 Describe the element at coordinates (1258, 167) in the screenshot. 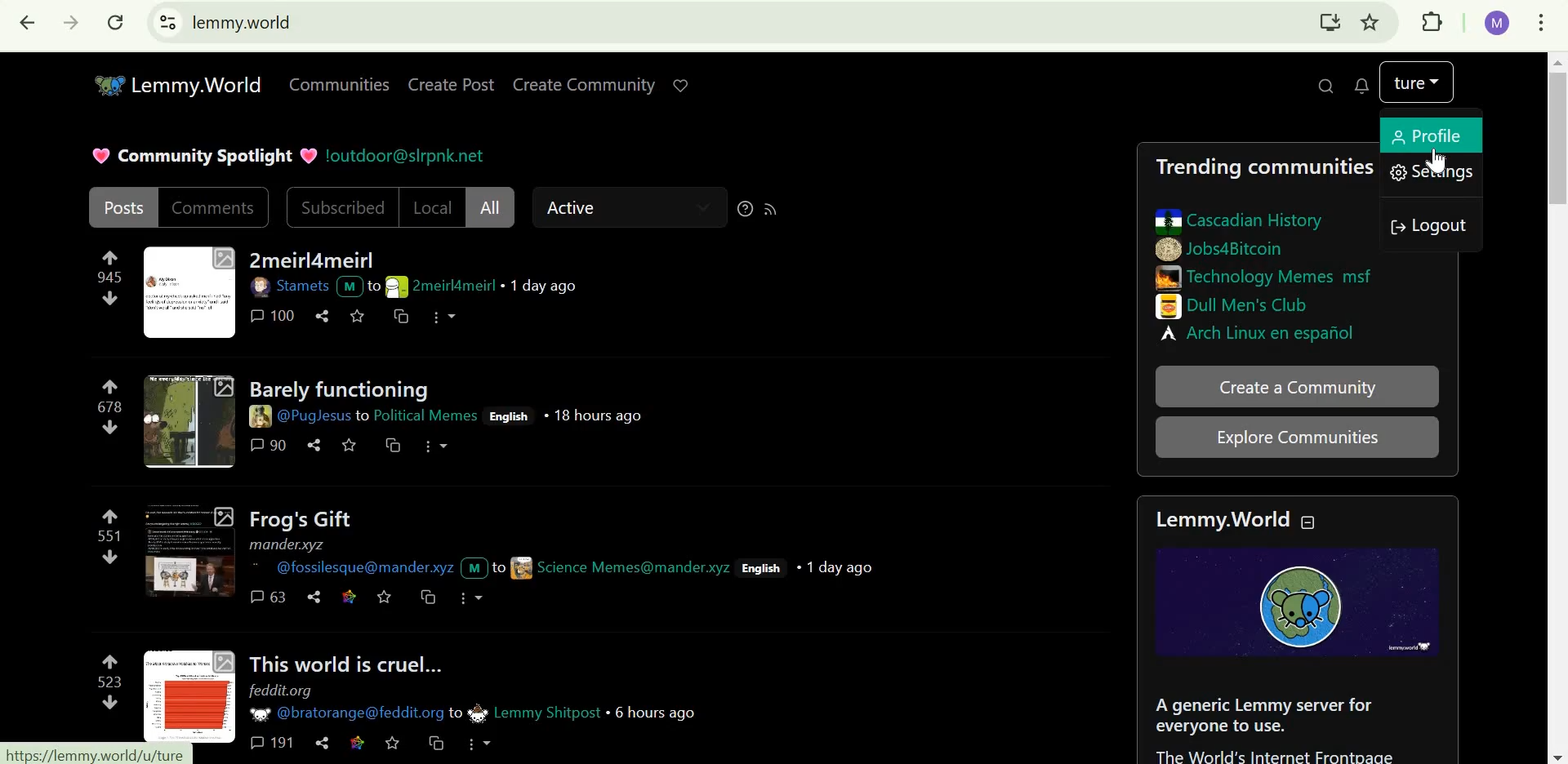

I see `Trending communities` at that location.